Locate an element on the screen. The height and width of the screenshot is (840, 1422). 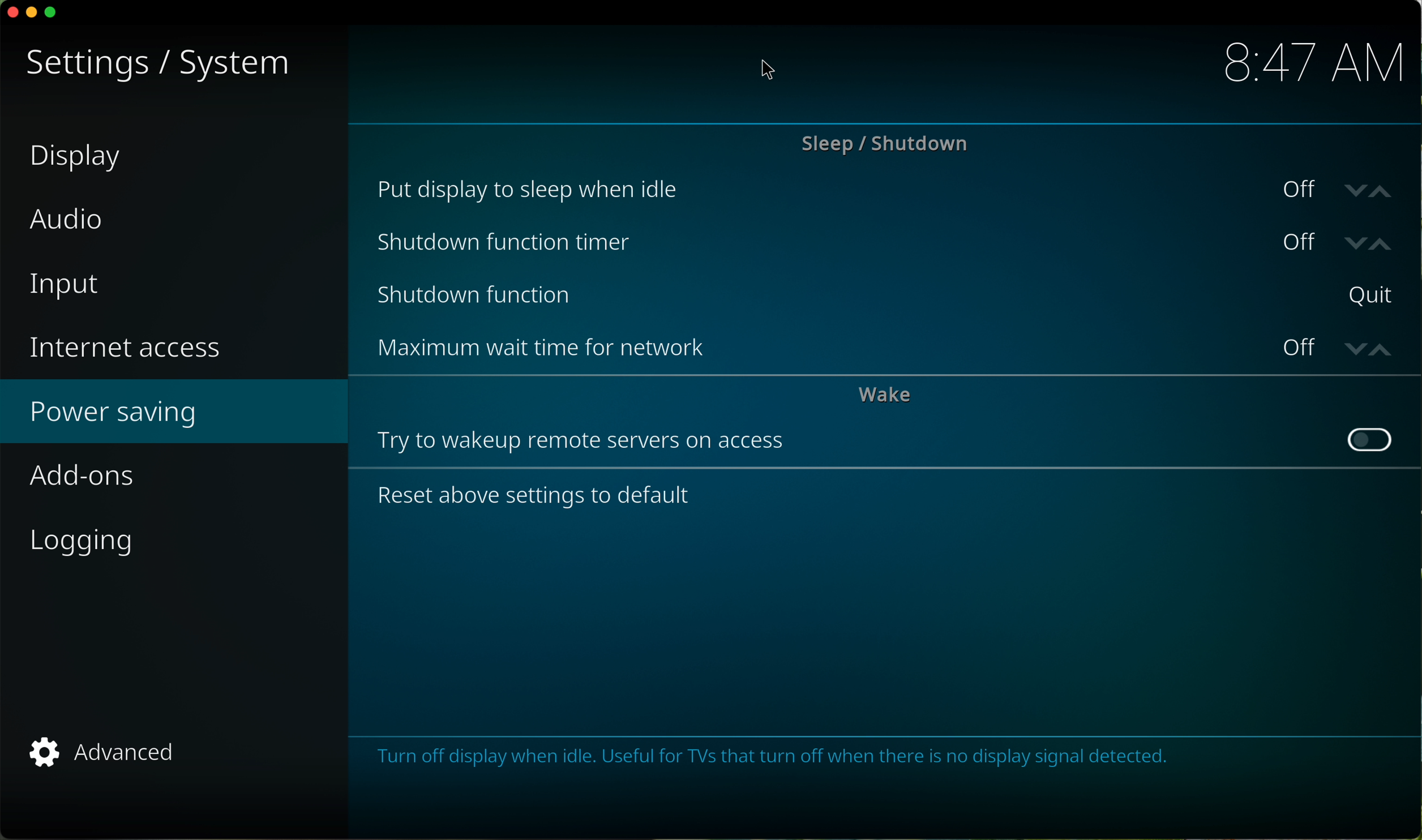
add-ons is located at coordinates (174, 474).